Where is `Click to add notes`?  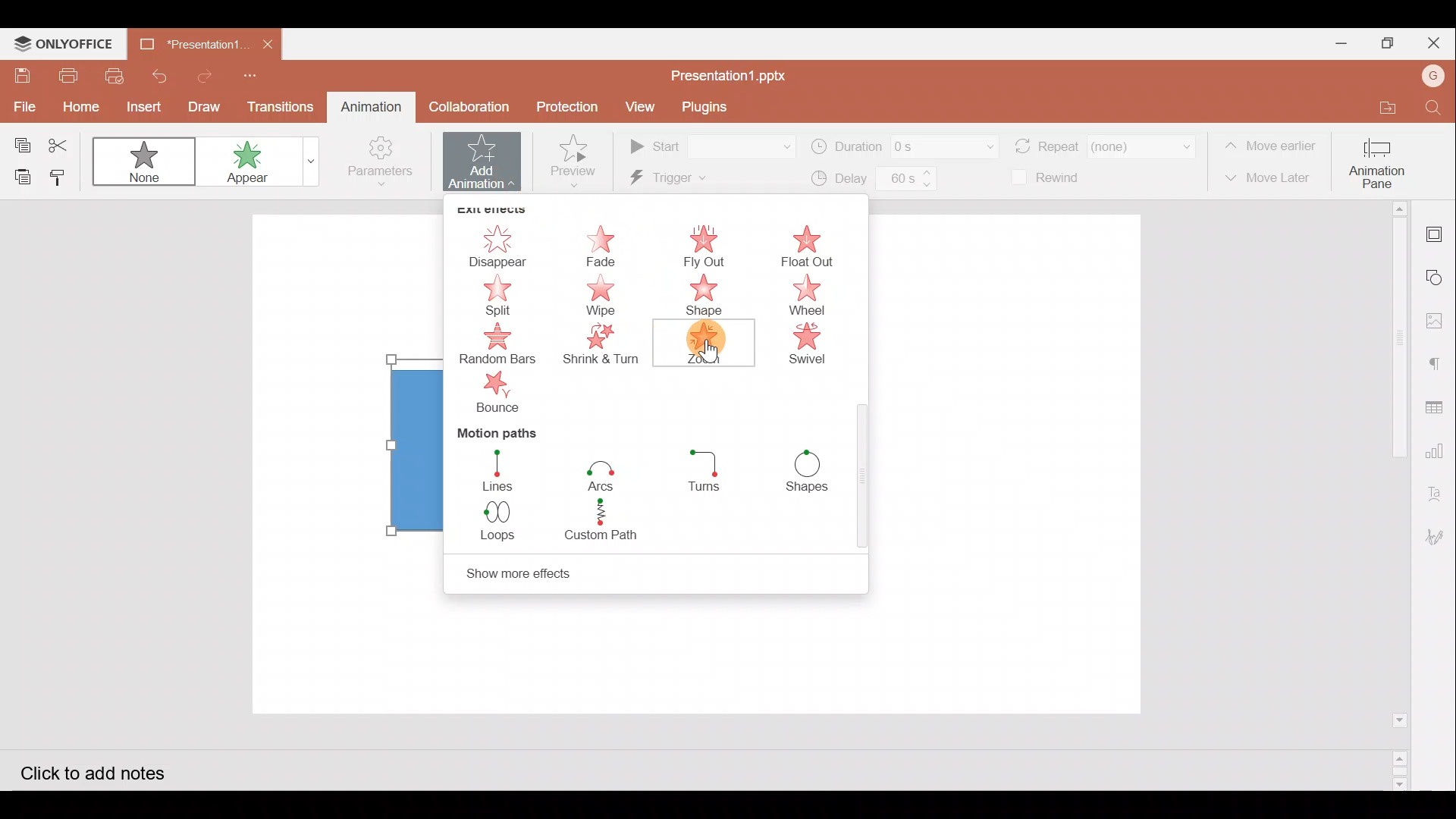
Click to add notes is located at coordinates (109, 770).